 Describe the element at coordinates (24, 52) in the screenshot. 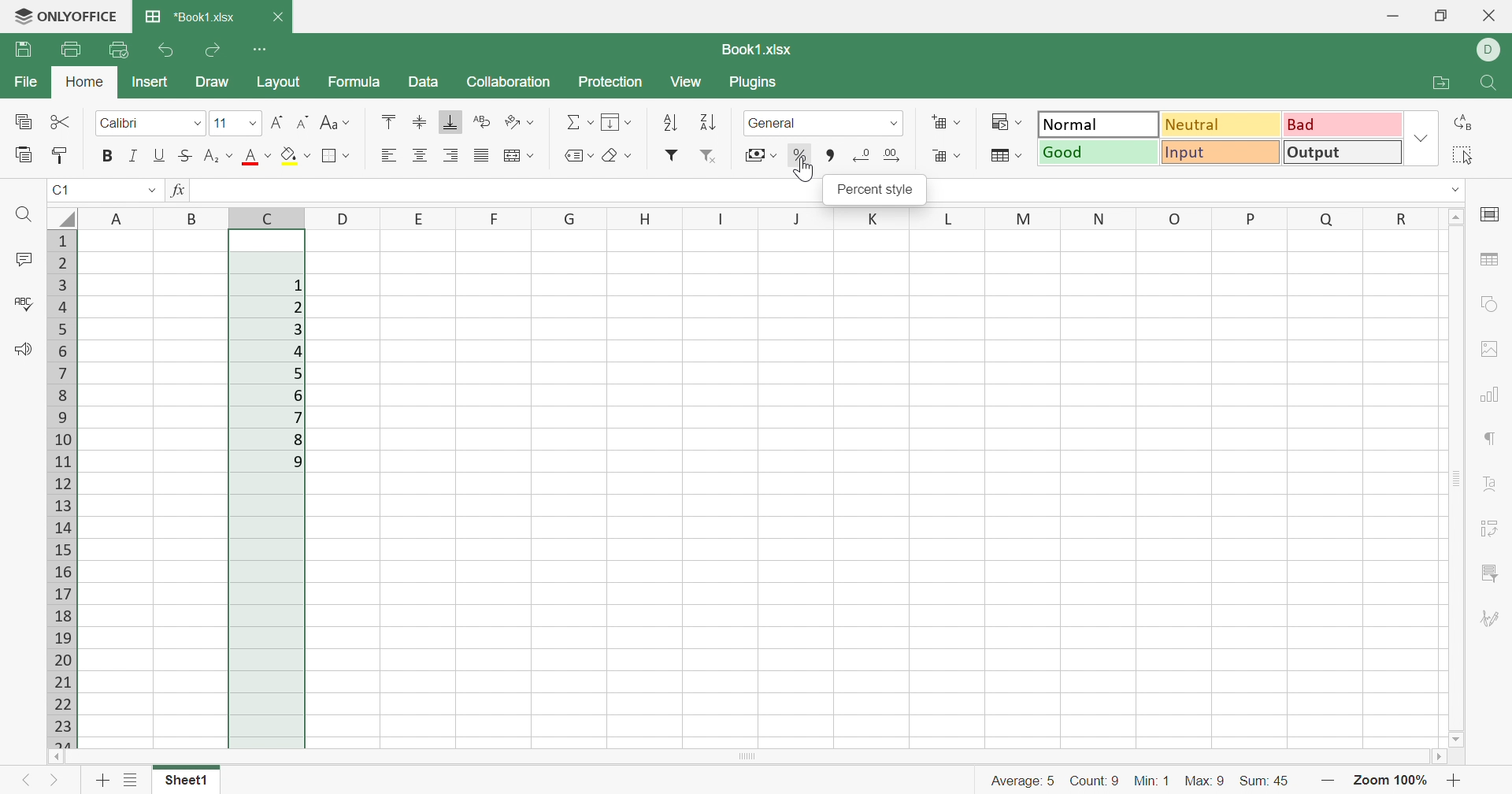

I see `Save` at that location.